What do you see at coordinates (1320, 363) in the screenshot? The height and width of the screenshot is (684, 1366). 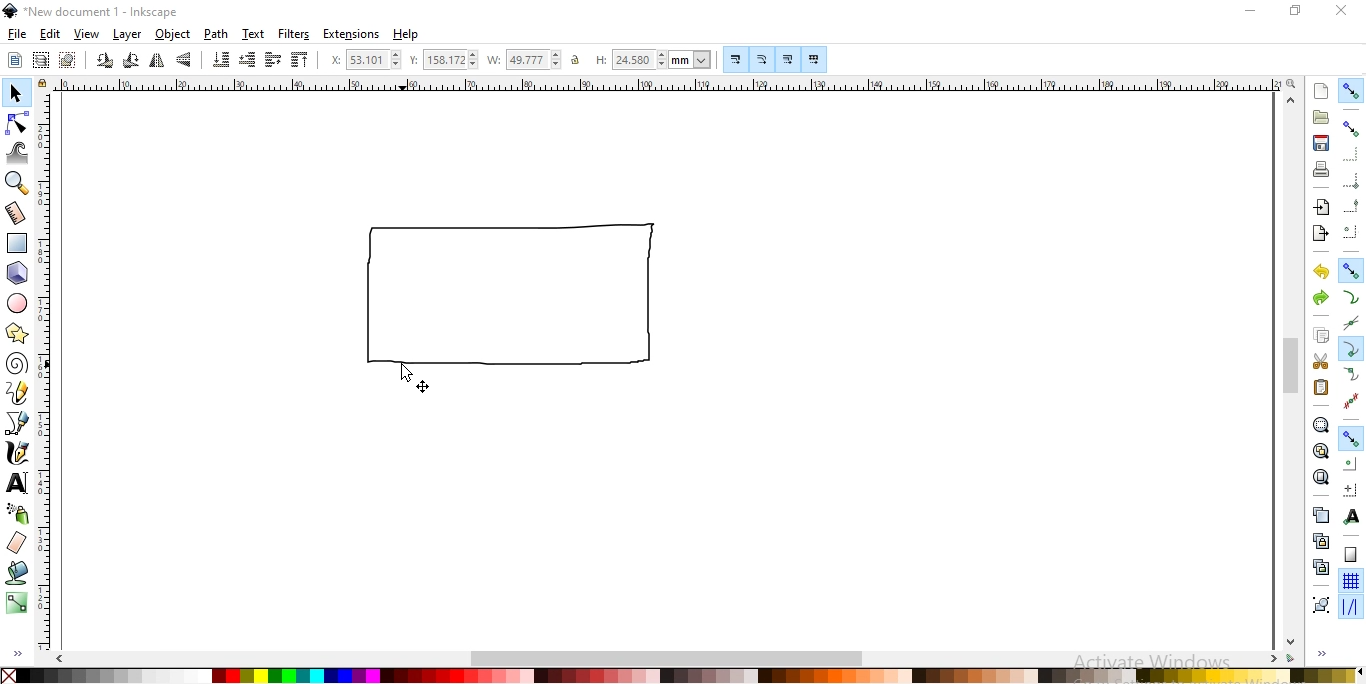 I see `cut` at bounding box center [1320, 363].